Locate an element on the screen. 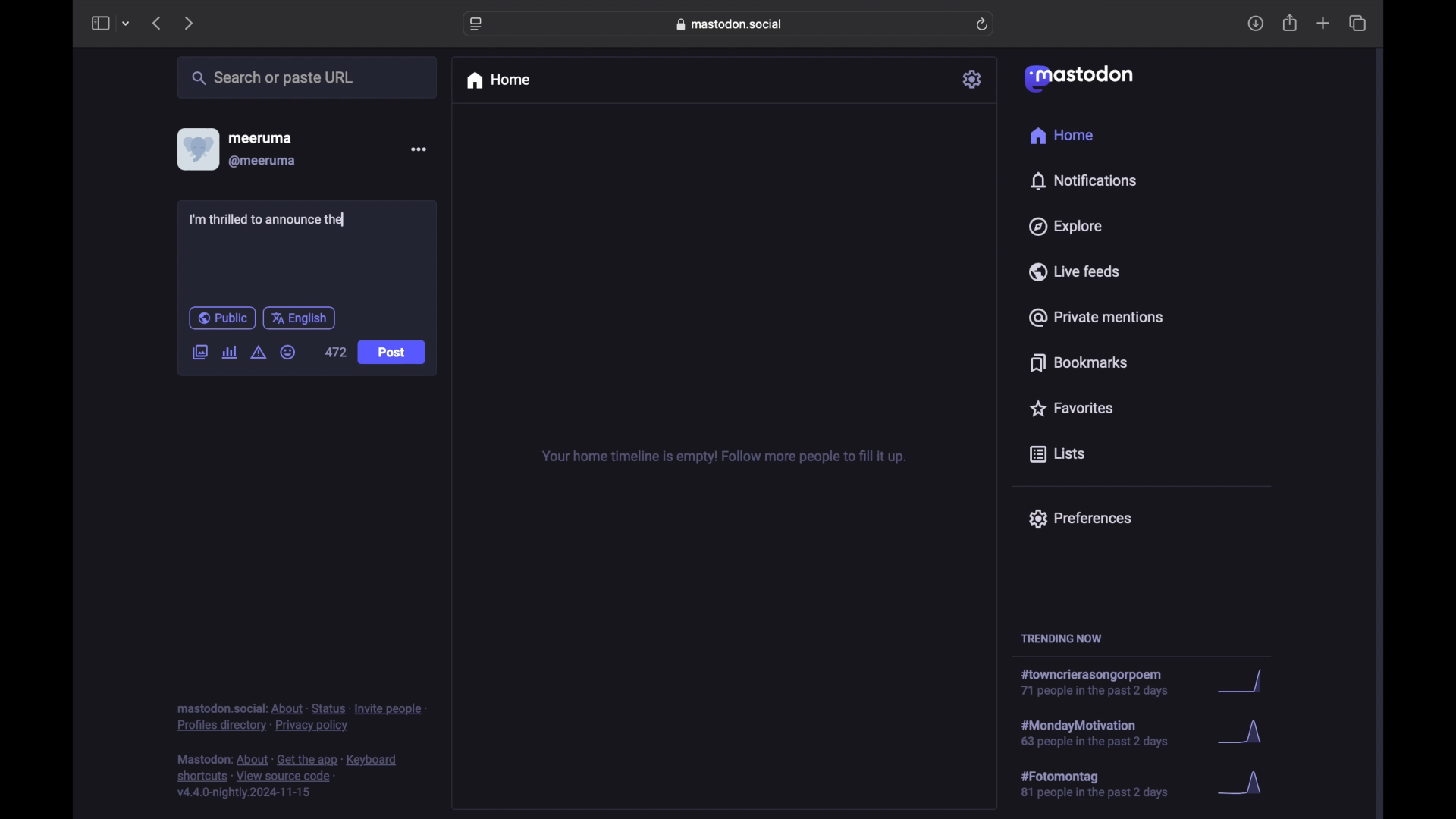 Image resolution: width=1456 pixels, height=819 pixels. private mentions is located at coordinates (1095, 317).